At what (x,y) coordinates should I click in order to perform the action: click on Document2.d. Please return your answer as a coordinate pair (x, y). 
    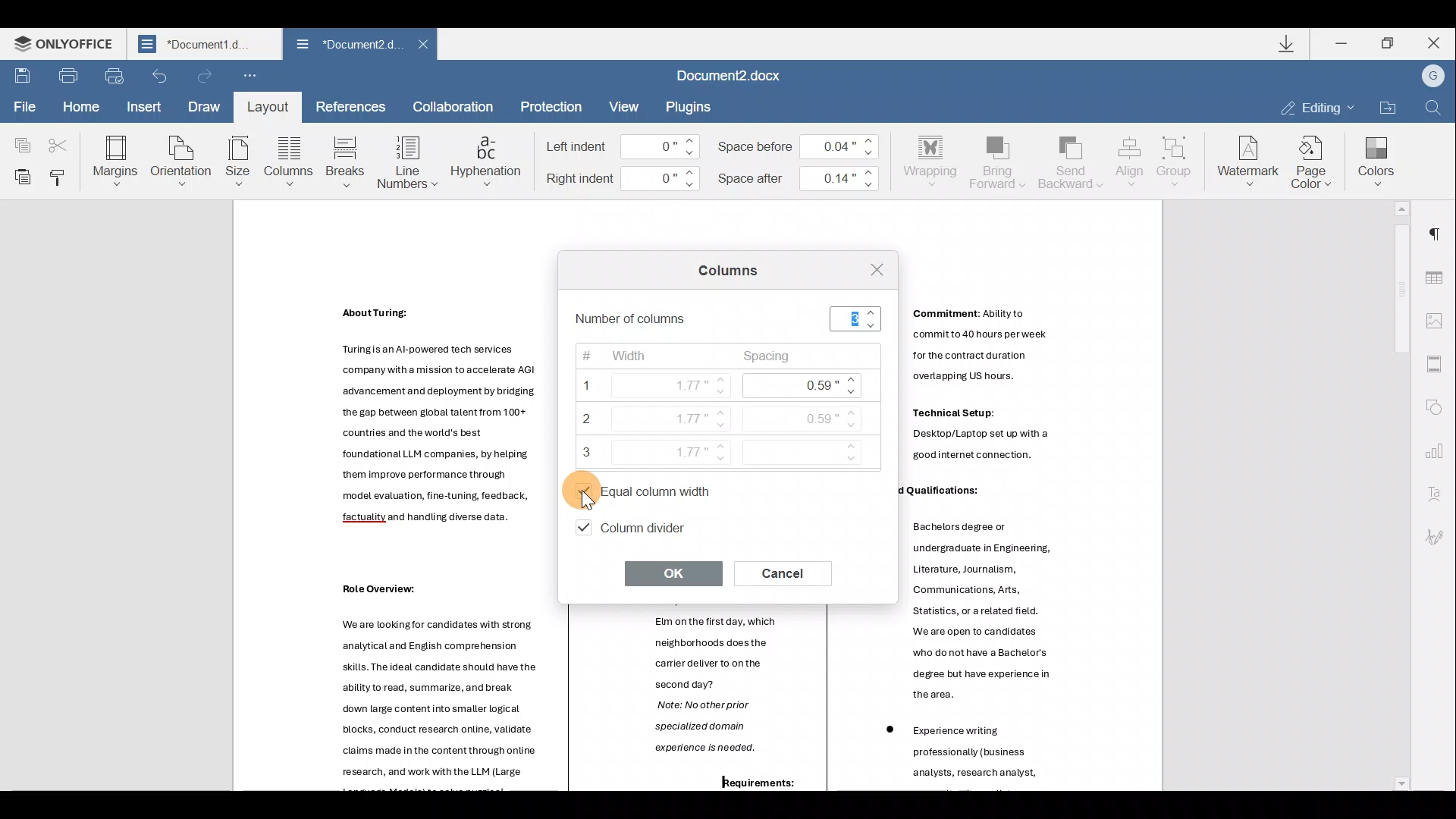
    Looking at the image, I should click on (204, 48).